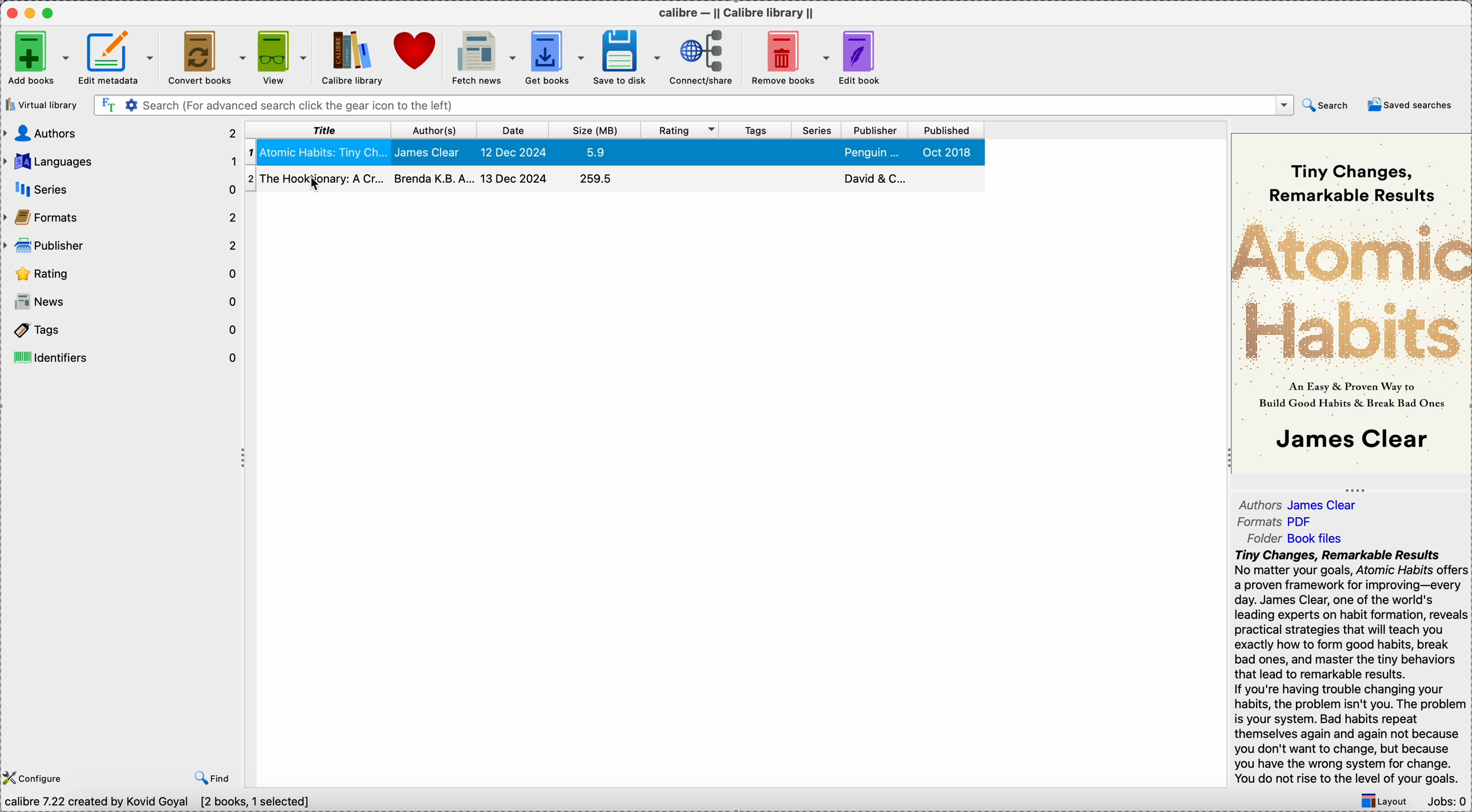  What do you see at coordinates (706, 58) in the screenshot?
I see `connect/share` at bounding box center [706, 58].